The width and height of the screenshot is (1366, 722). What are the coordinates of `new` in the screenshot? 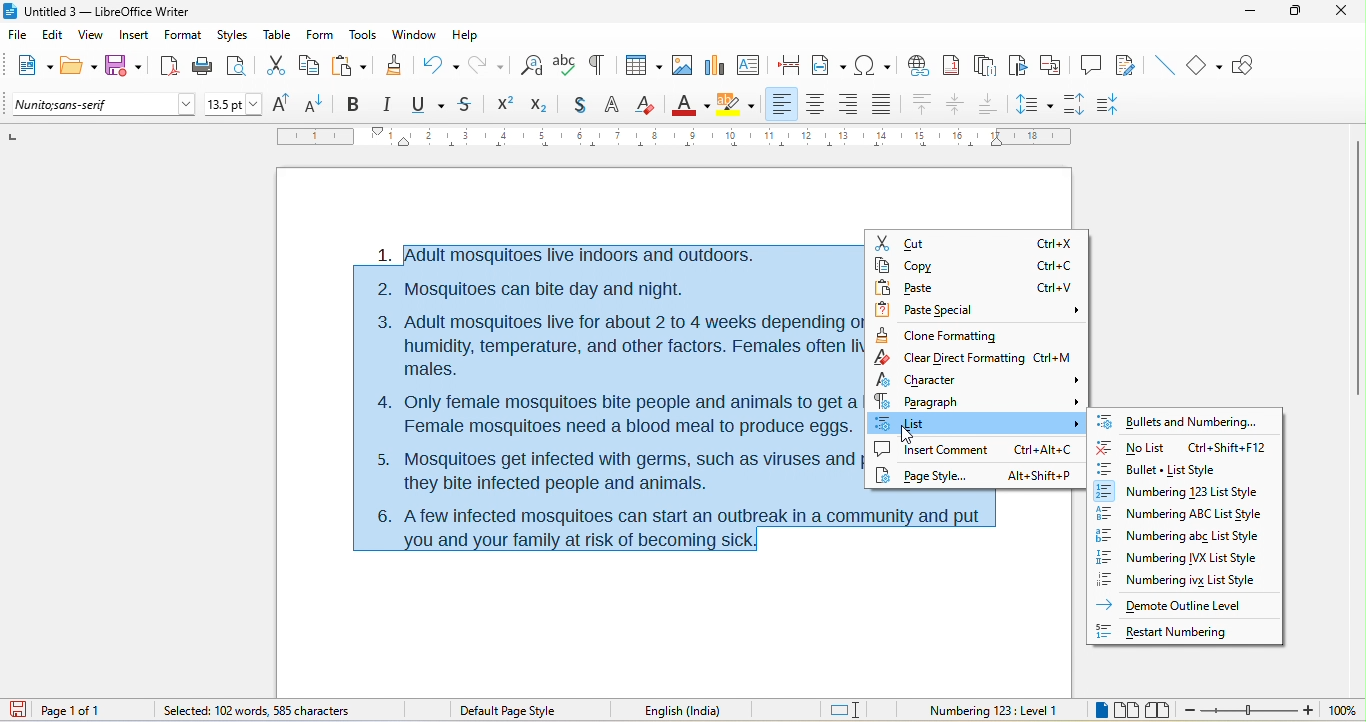 It's located at (32, 68).